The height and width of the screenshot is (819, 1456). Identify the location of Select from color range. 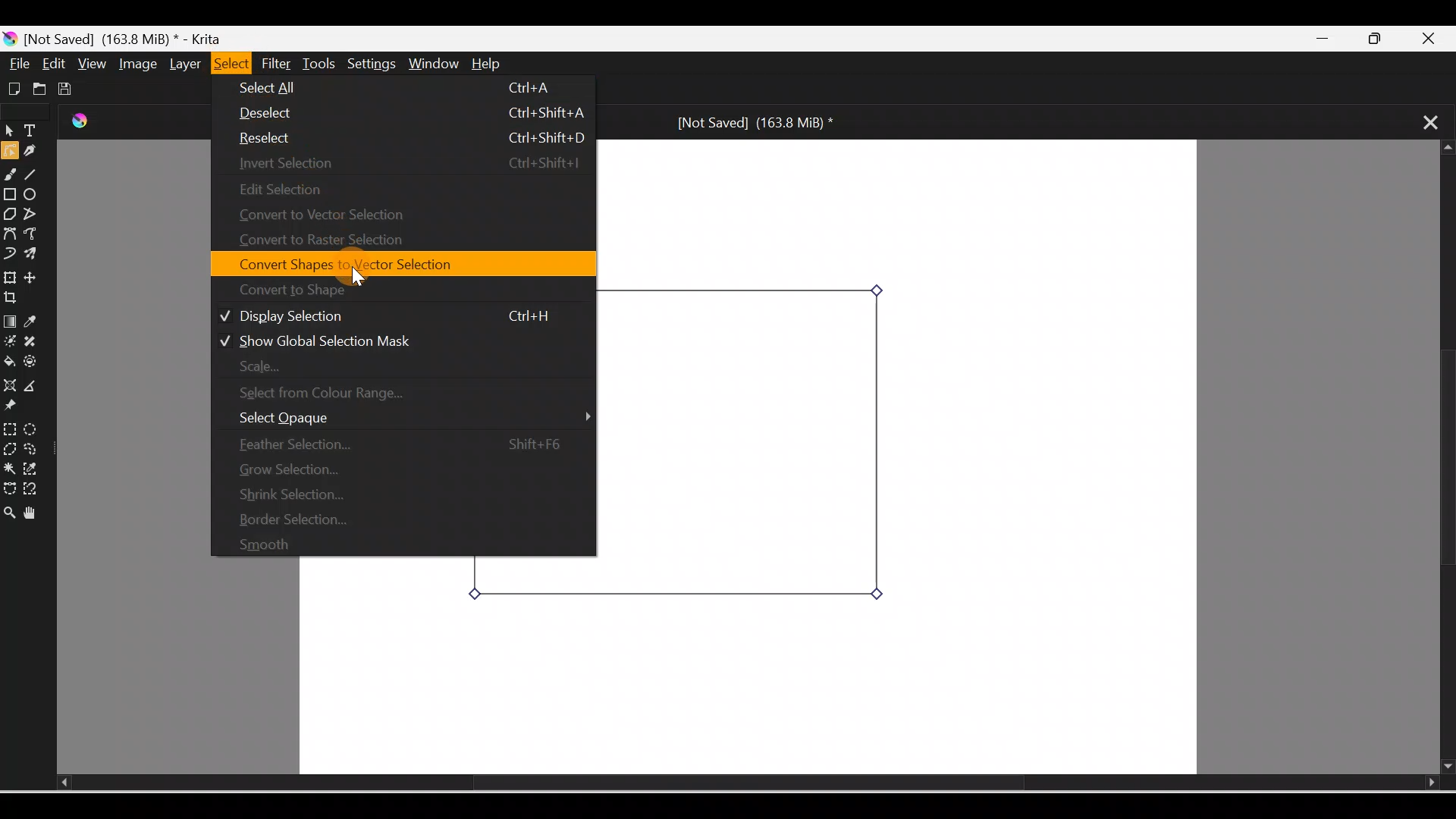
(385, 394).